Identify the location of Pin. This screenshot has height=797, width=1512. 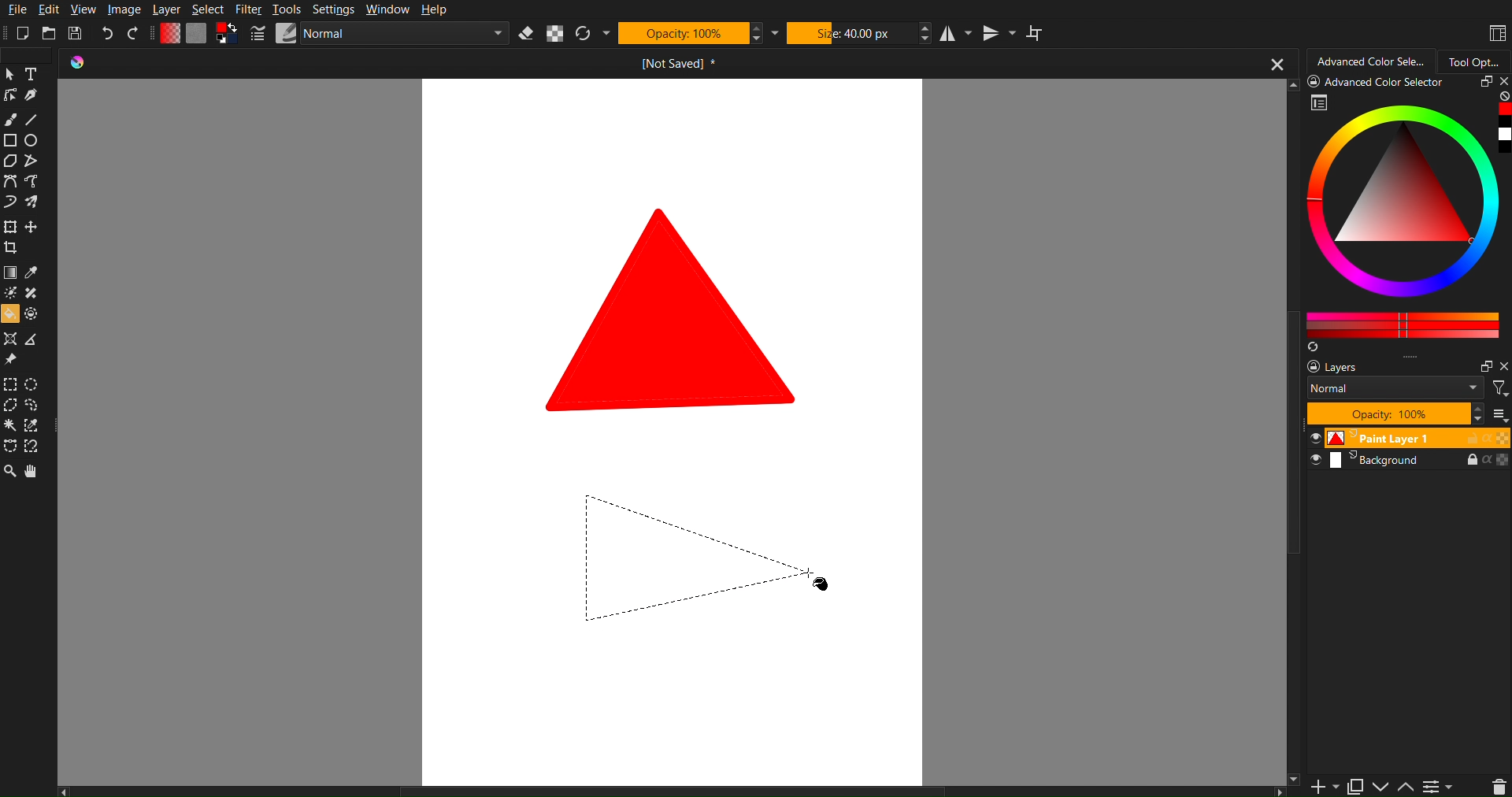
(9, 361).